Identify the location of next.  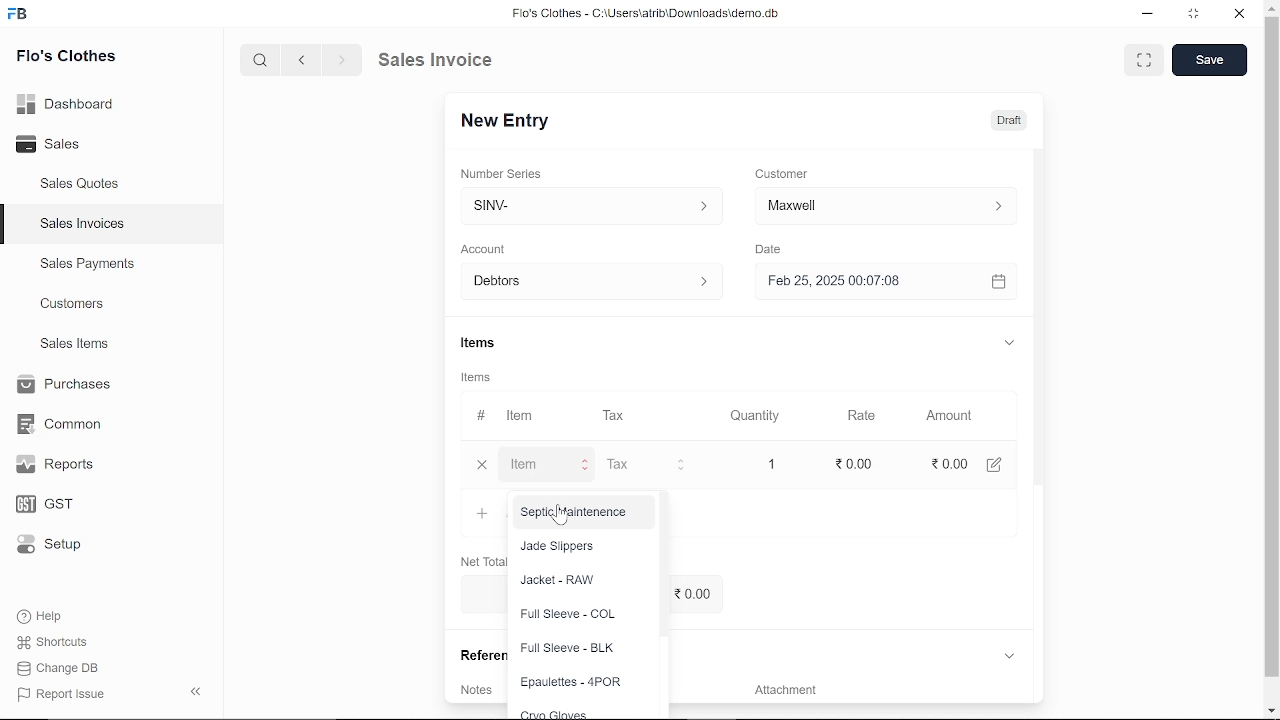
(342, 60).